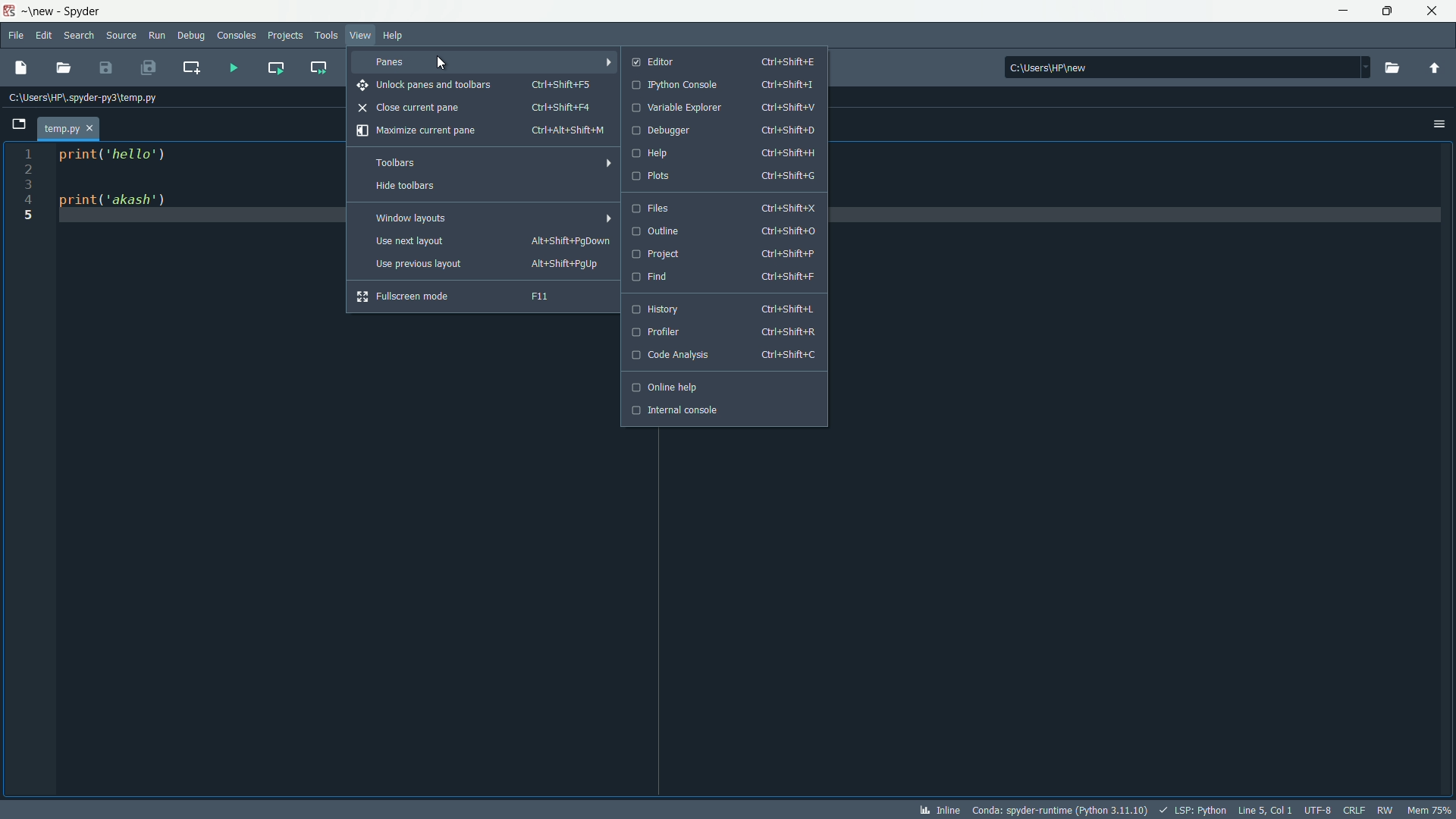 This screenshot has width=1456, height=819. I want to click on online help, so click(720, 388).